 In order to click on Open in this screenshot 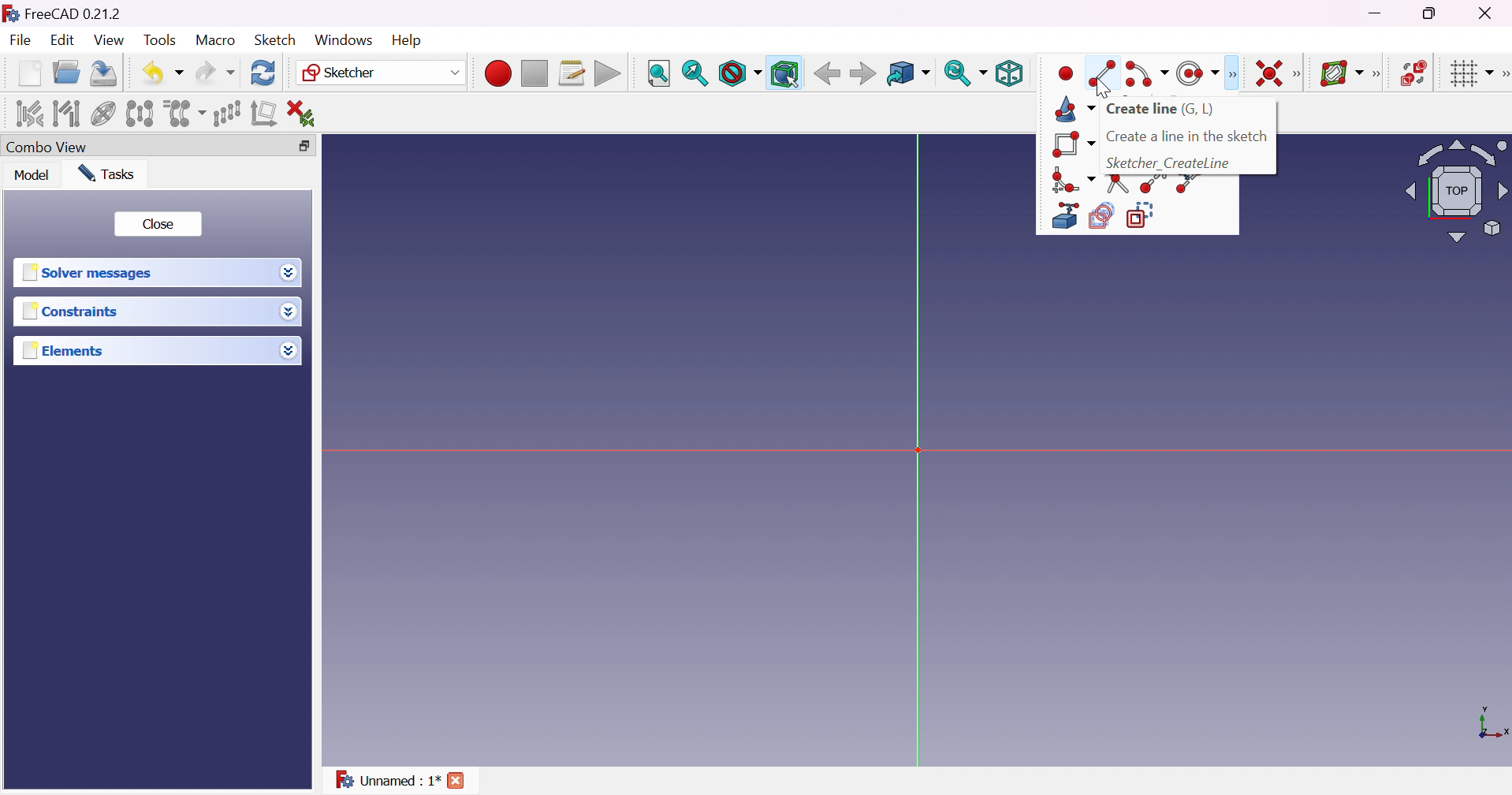, I will do `click(69, 72)`.